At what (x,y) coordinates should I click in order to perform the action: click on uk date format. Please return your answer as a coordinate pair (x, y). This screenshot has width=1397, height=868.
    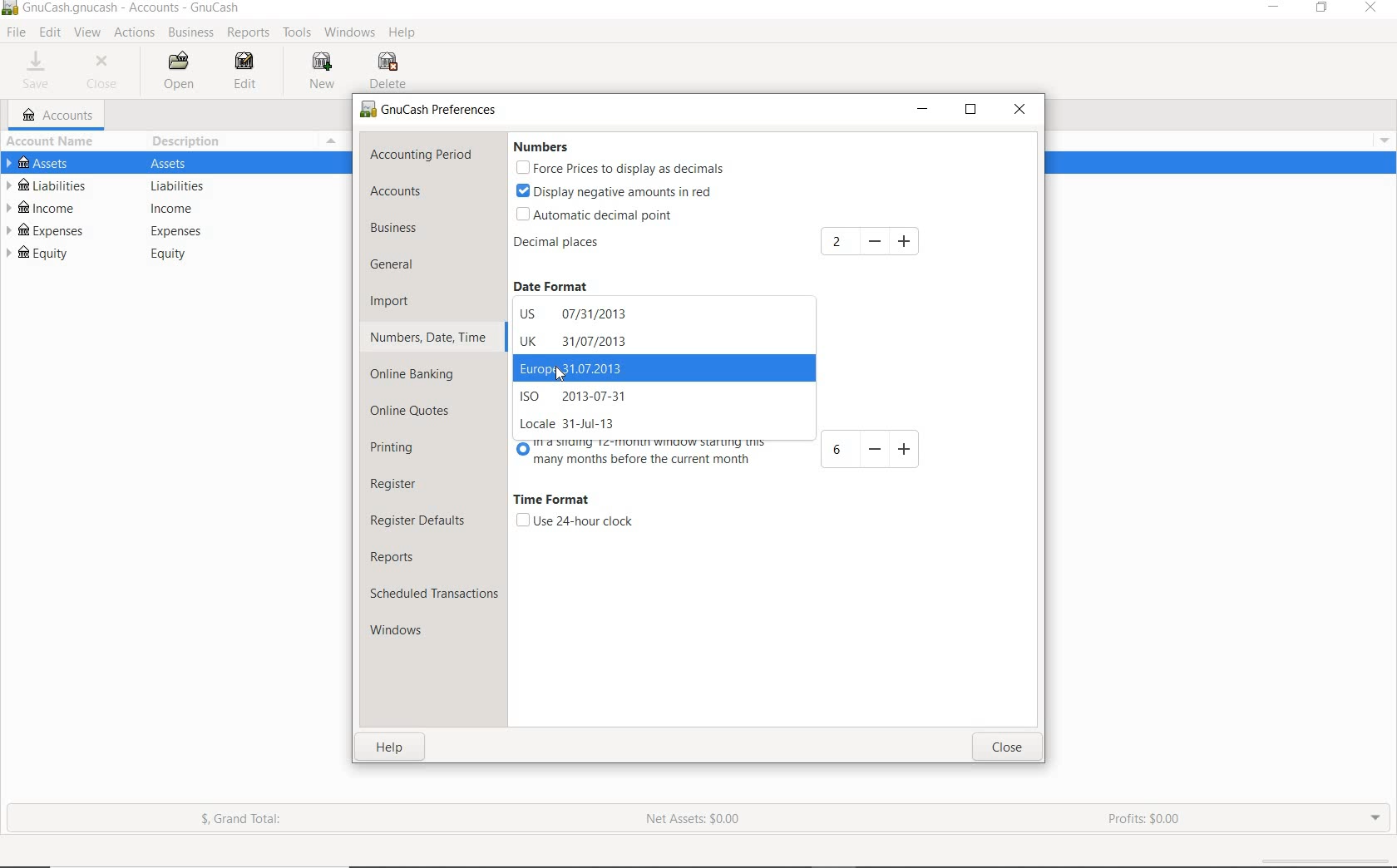
    Looking at the image, I should click on (575, 343).